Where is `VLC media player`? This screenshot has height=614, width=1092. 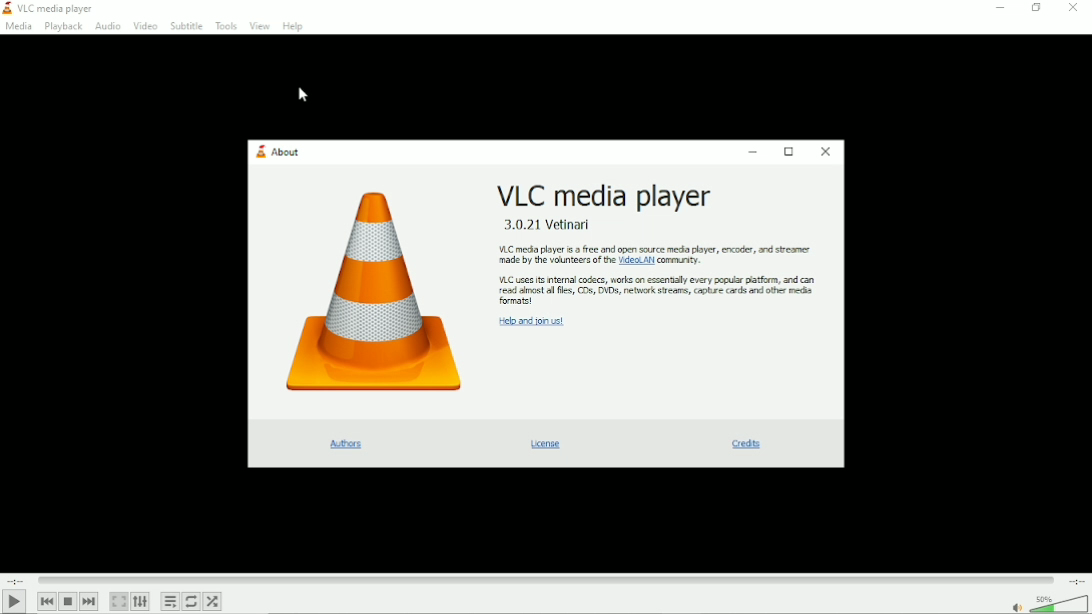 VLC media player is located at coordinates (605, 194).